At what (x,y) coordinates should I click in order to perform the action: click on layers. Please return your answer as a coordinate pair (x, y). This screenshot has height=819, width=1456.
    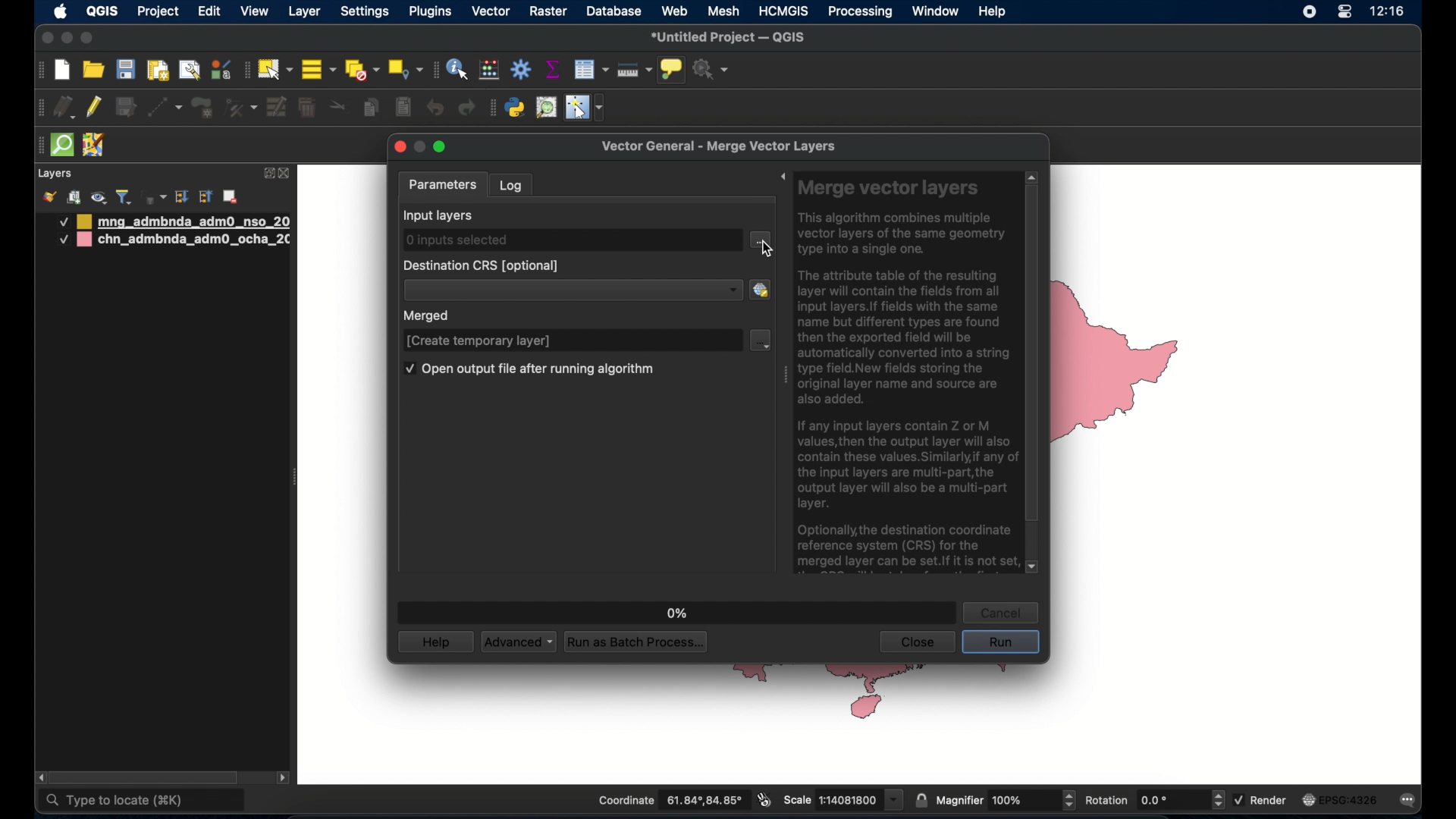
    Looking at the image, I should click on (55, 174).